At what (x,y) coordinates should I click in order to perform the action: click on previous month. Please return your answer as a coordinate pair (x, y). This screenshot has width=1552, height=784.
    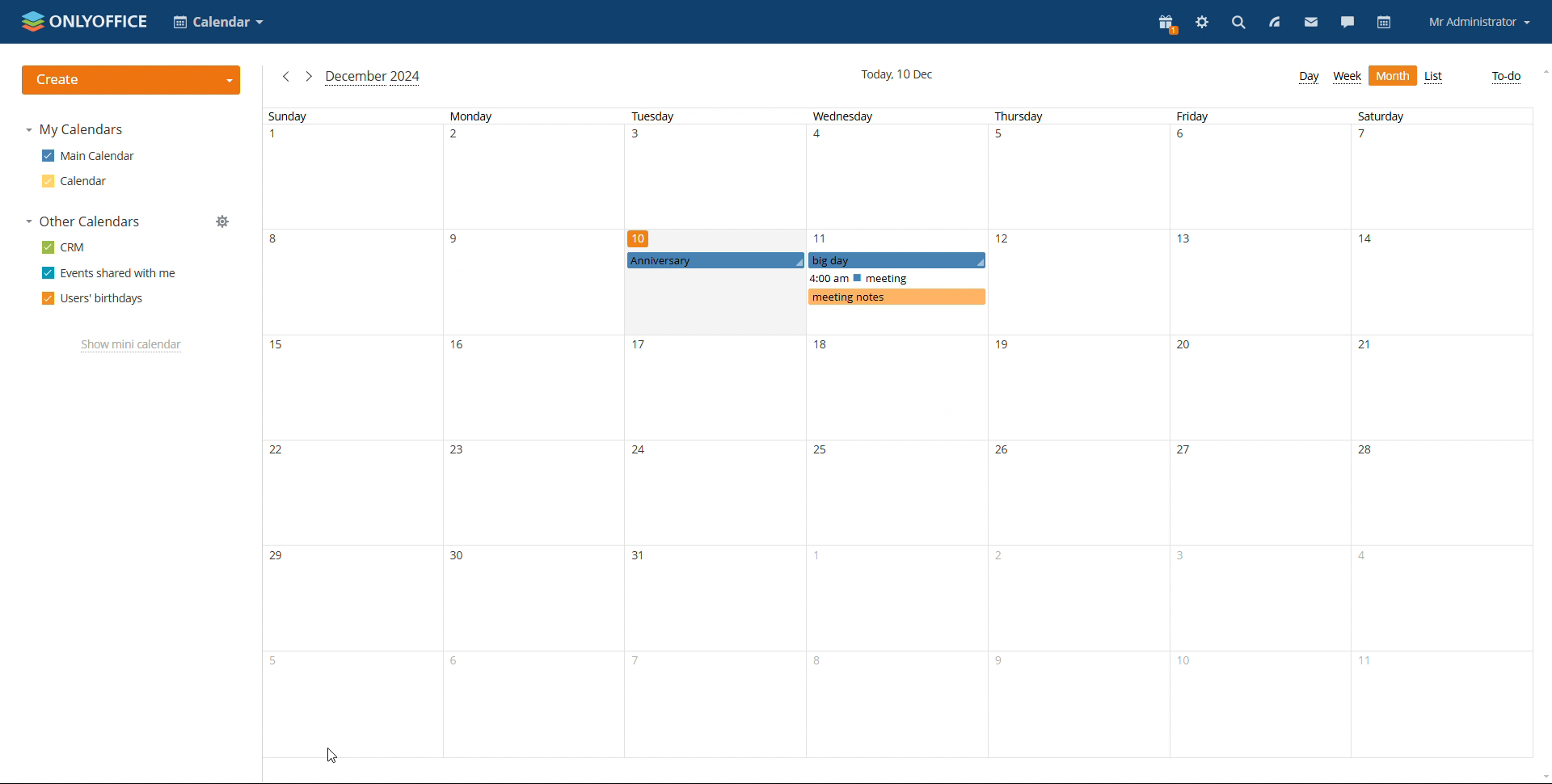
    Looking at the image, I should click on (286, 77).